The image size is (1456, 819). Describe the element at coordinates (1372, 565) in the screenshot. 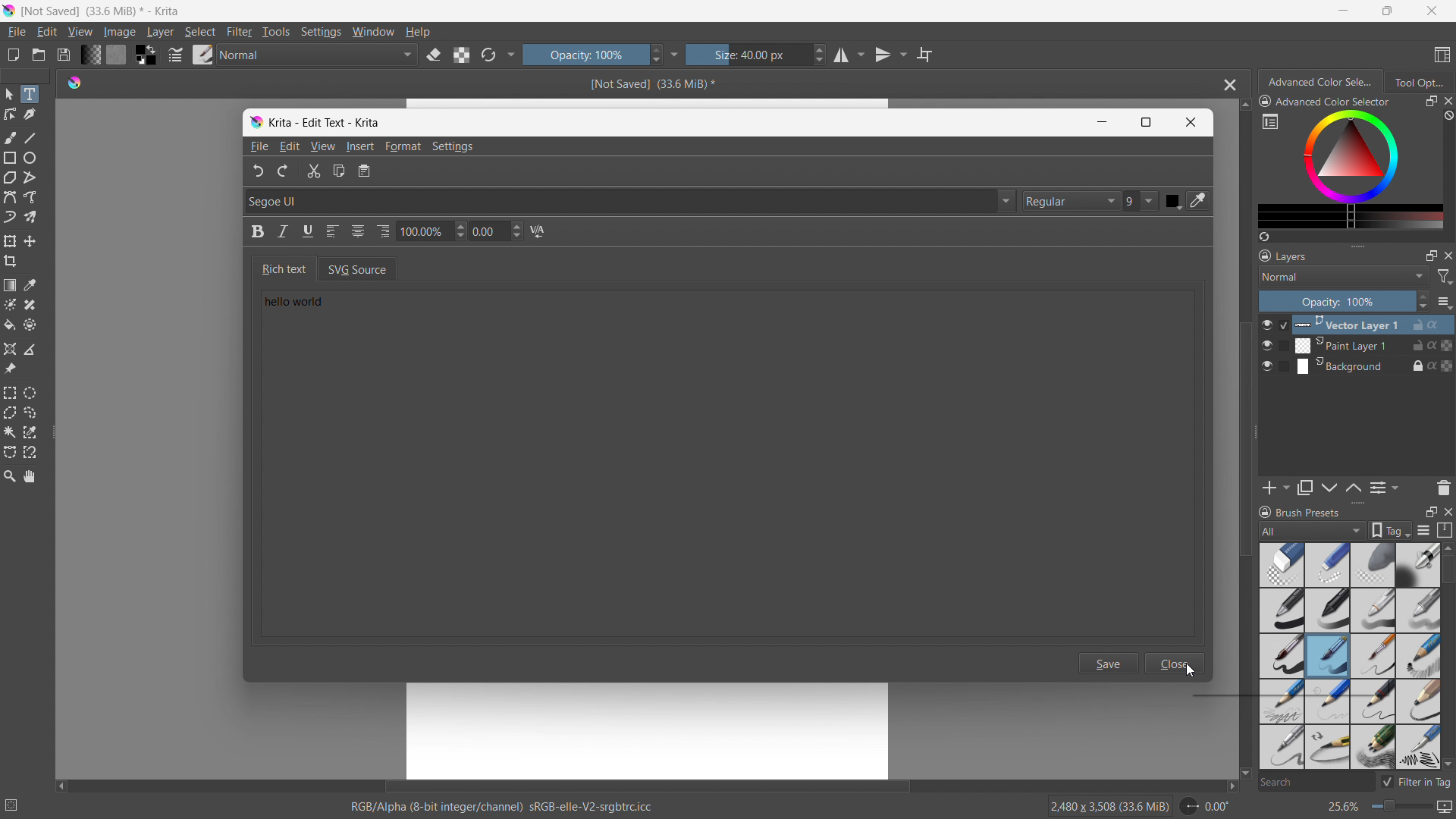

I see `blur` at that location.